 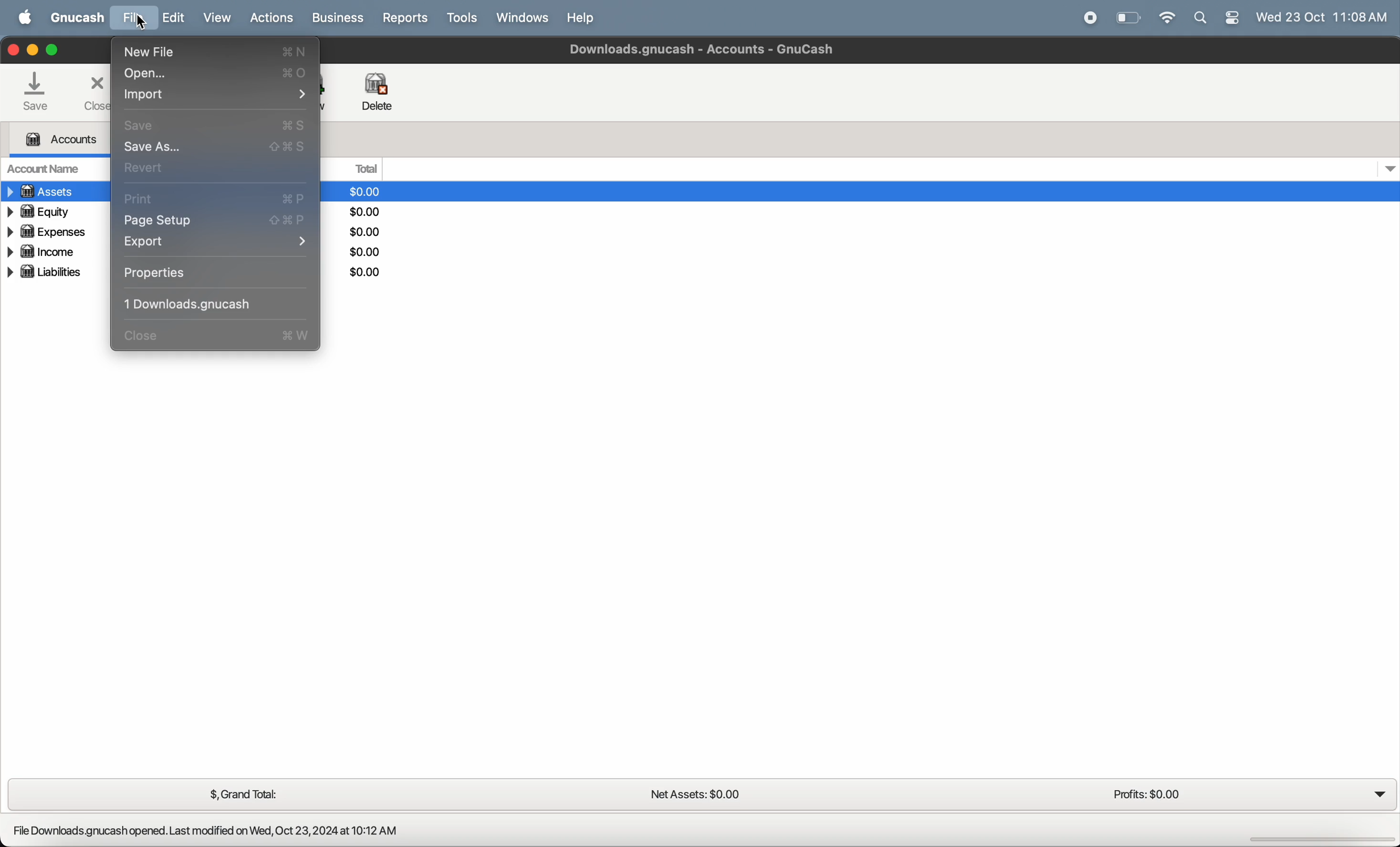 What do you see at coordinates (1152, 795) in the screenshot?
I see `profits` at bounding box center [1152, 795].